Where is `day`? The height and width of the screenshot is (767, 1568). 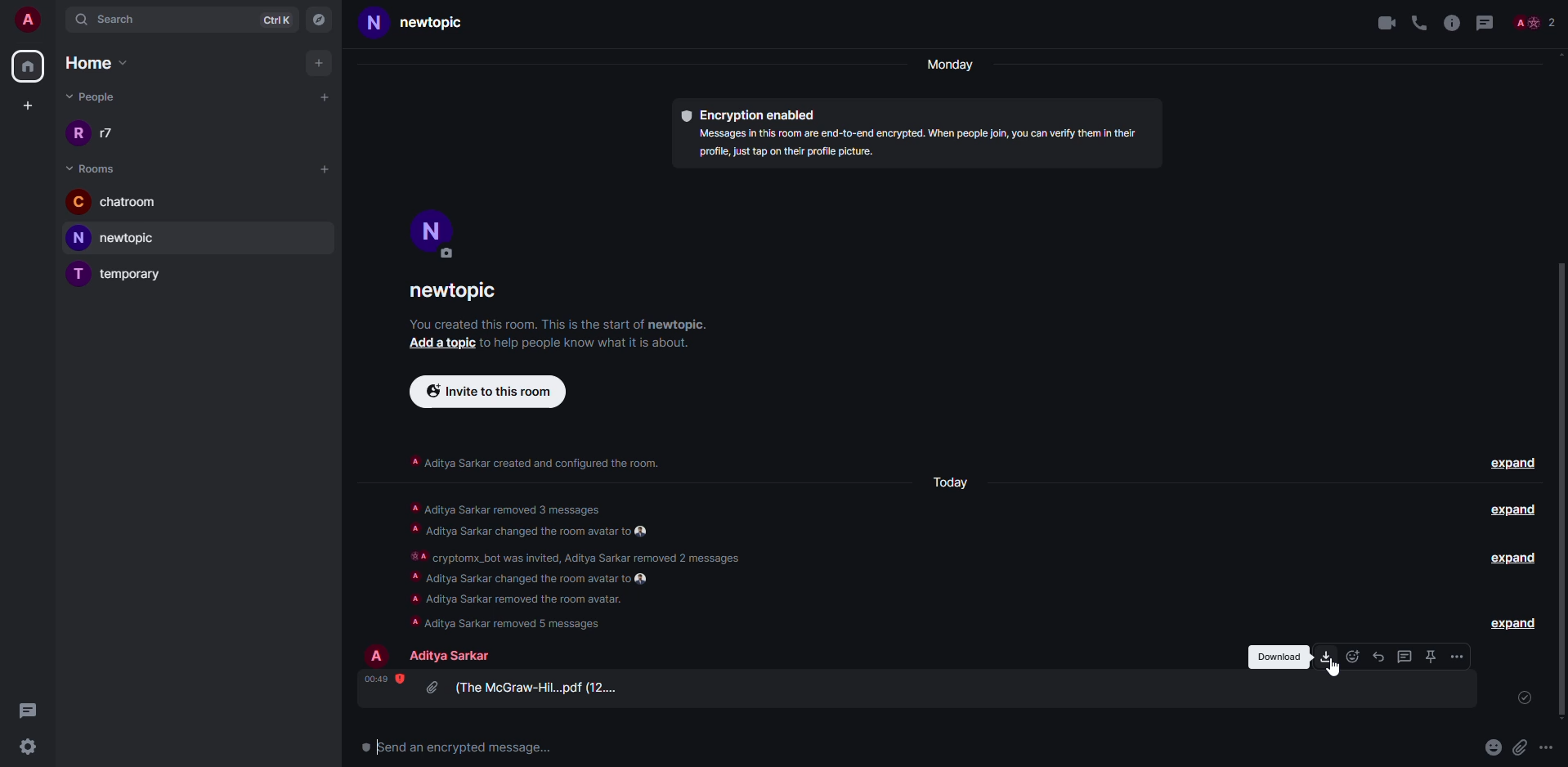 day is located at coordinates (948, 64).